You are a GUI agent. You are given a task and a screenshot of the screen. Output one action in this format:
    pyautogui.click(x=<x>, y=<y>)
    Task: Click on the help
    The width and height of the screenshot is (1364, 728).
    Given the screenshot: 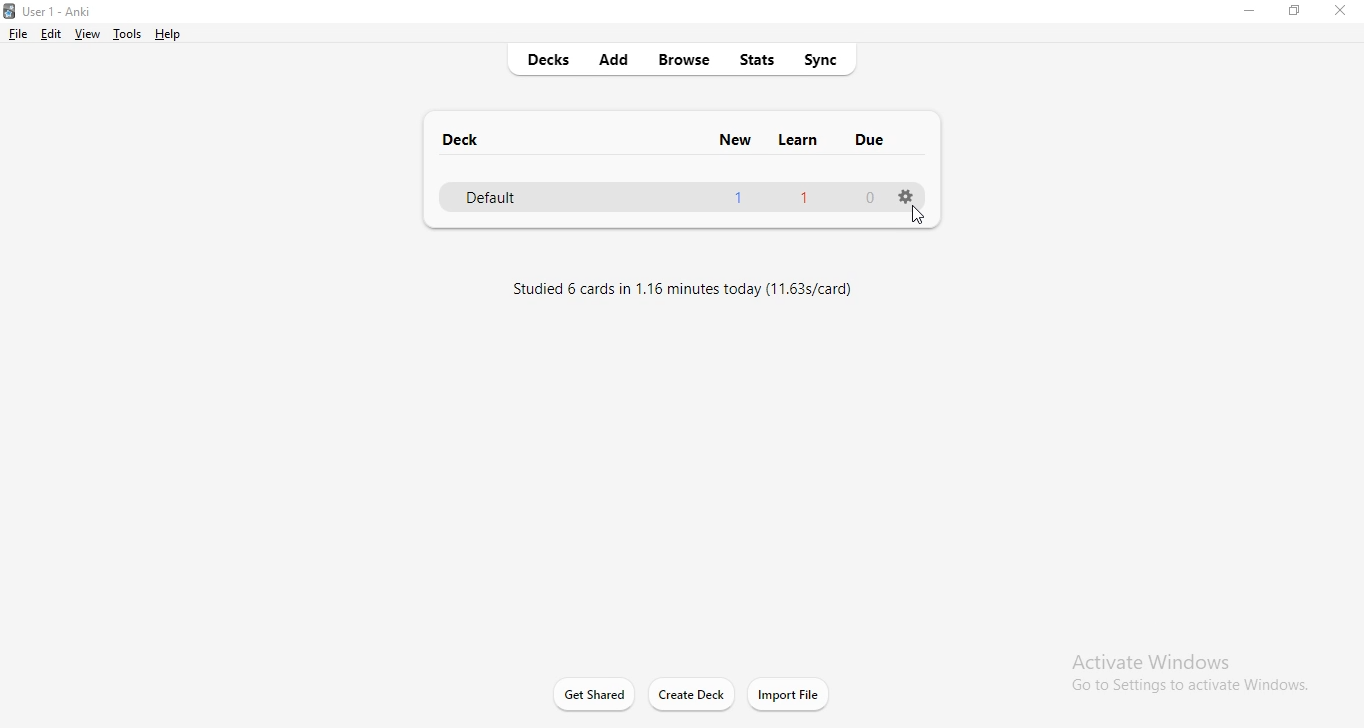 What is the action you would take?
    pyautogui.click(x=171, y=33)
    